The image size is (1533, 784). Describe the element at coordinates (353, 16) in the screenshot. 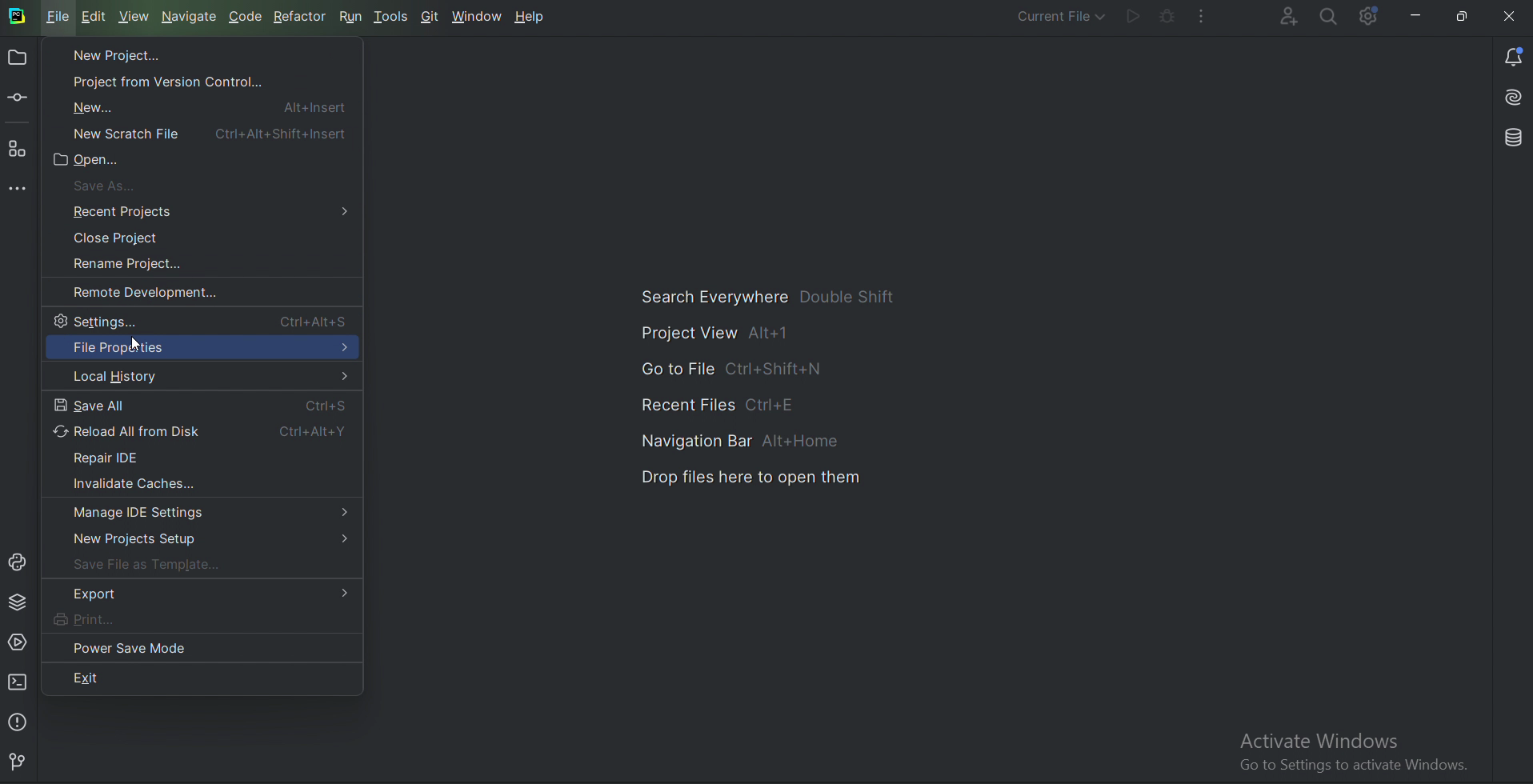

I see `Run` at that location.